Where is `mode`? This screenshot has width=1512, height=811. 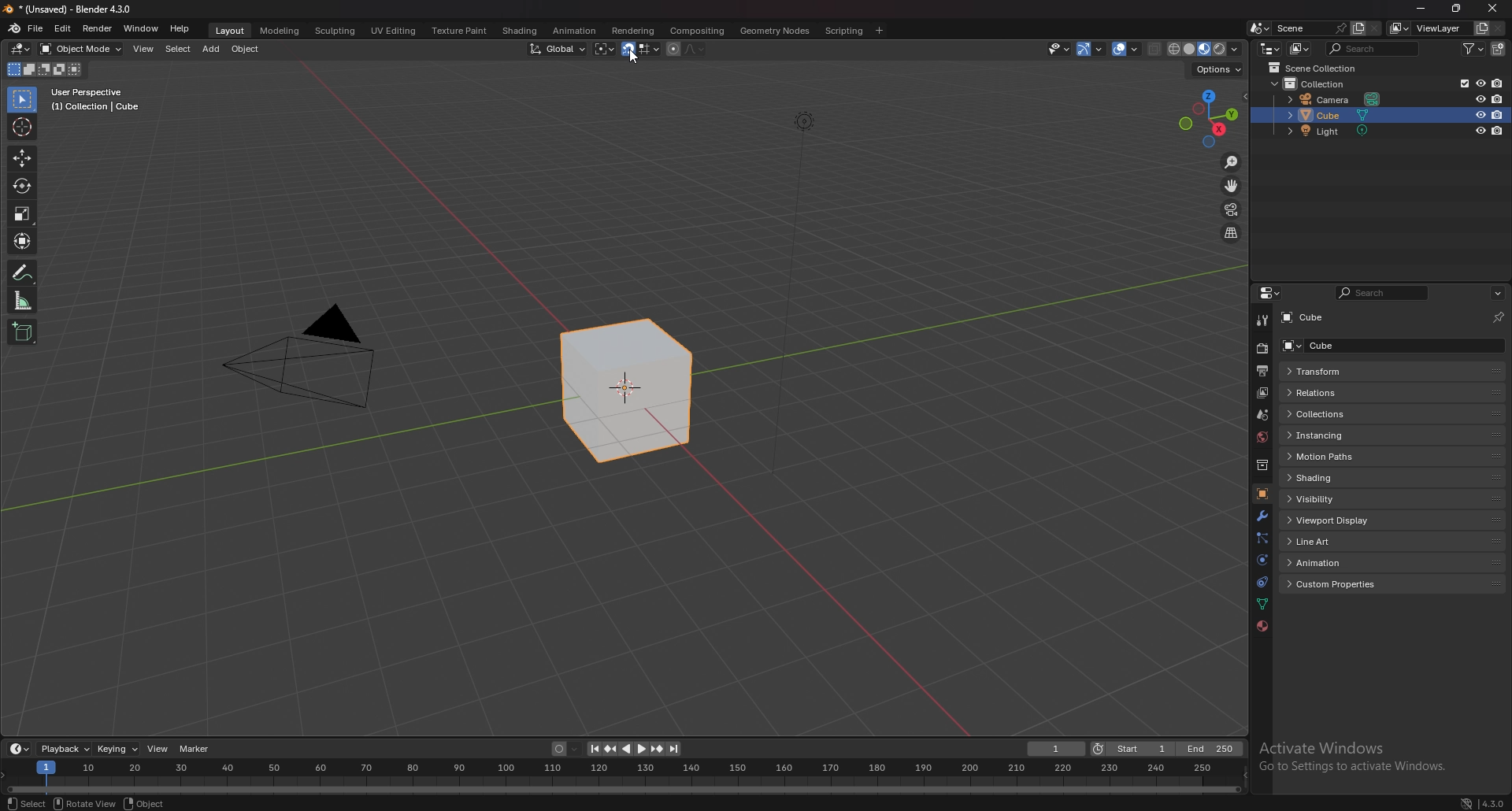 mode is located at coordinates (43, 70).